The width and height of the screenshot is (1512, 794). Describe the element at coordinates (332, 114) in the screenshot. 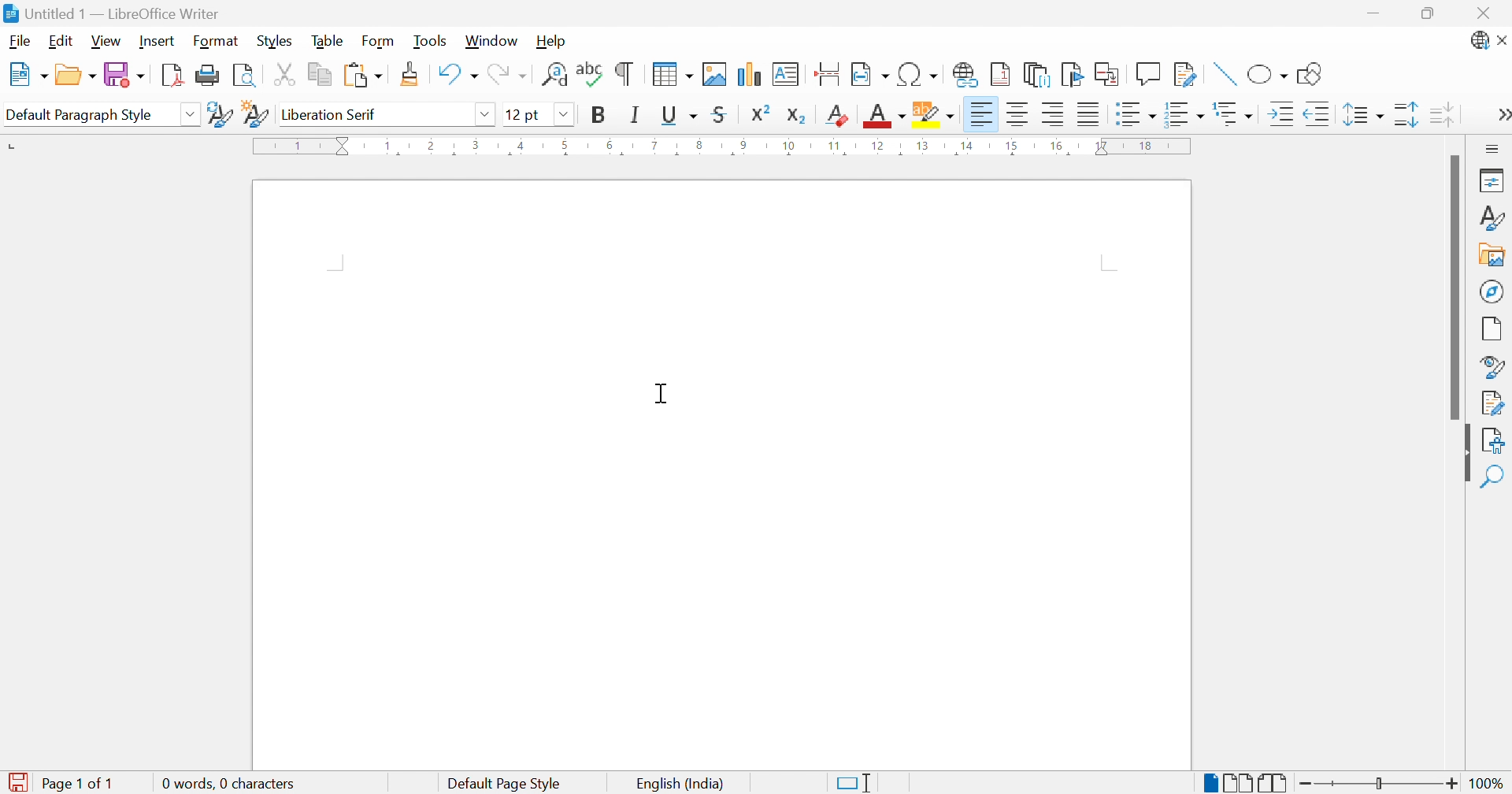

I see `Liberation serif` at that location.